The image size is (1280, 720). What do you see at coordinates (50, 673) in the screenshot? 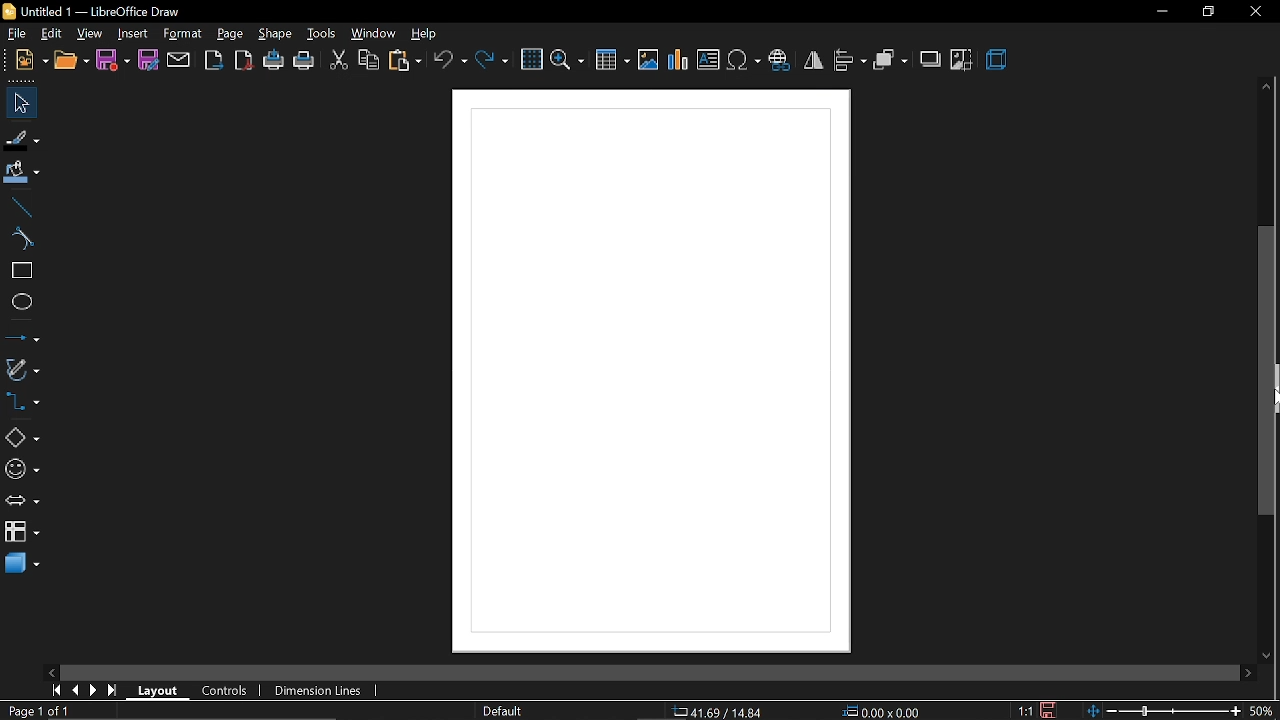
I see `move left` at bounding box center [50, 673].